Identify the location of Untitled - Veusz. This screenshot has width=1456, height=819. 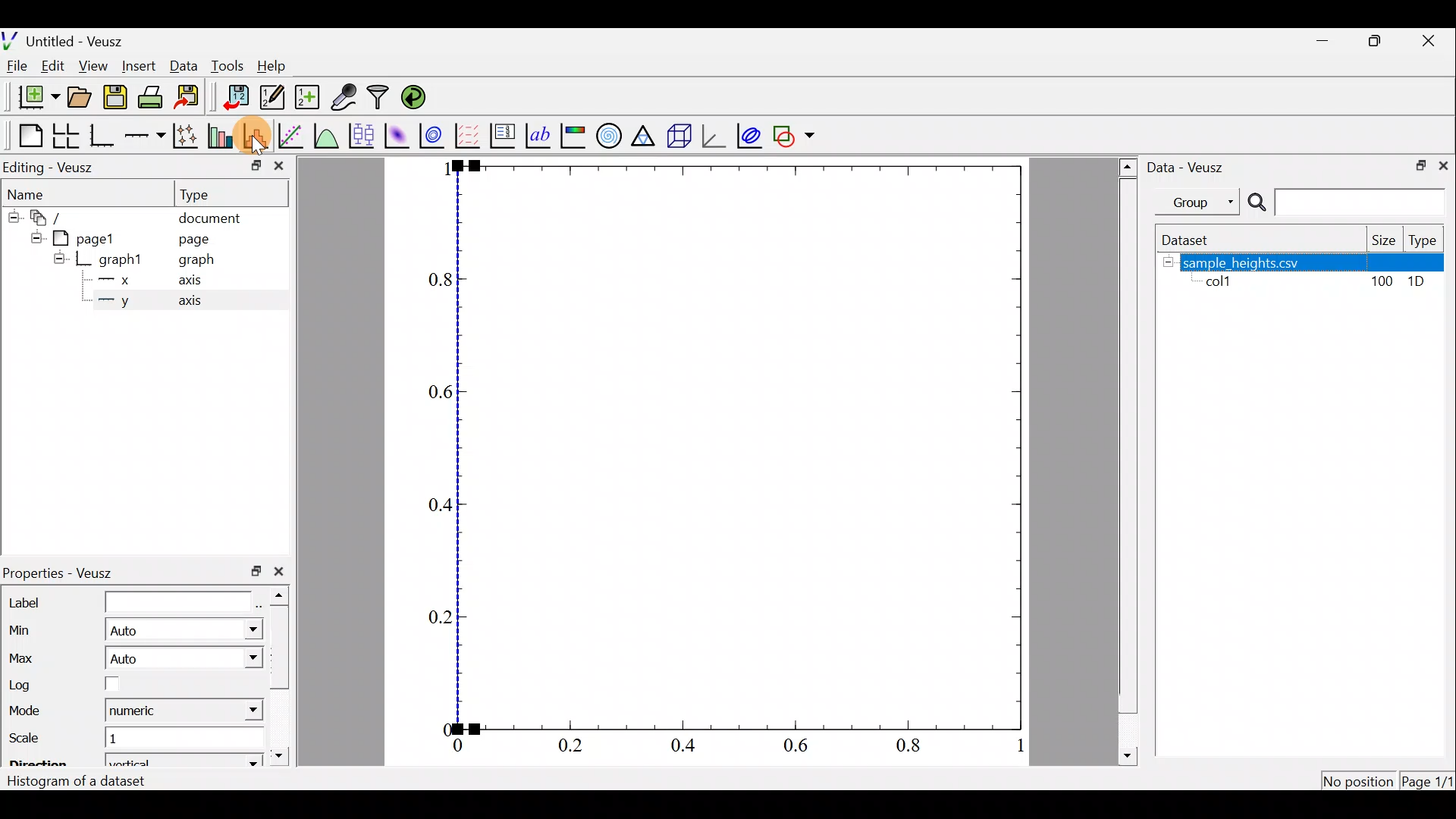
(63, 40).